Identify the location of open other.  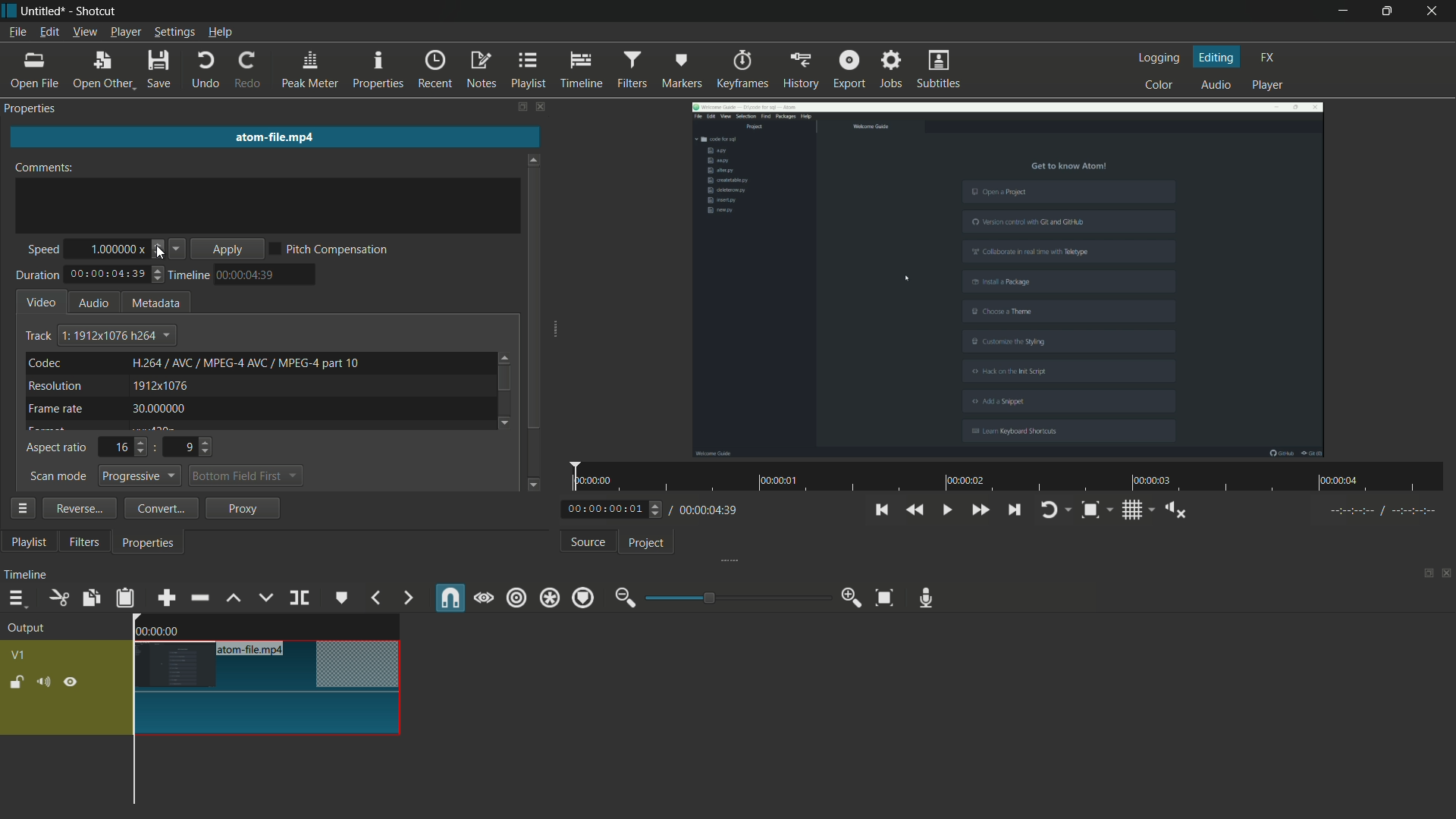
(101, 71).